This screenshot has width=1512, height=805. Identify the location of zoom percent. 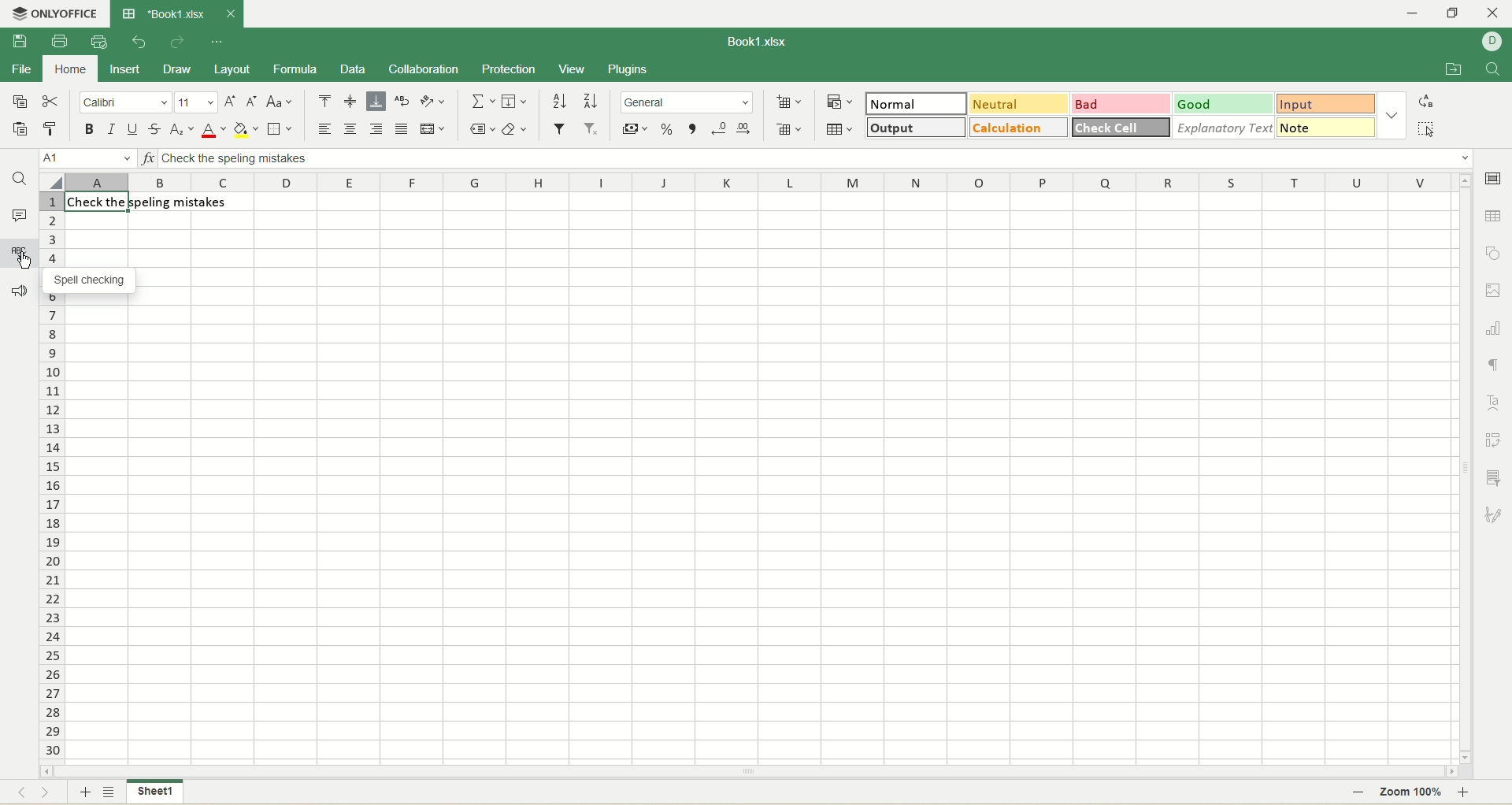
(1415, 793).